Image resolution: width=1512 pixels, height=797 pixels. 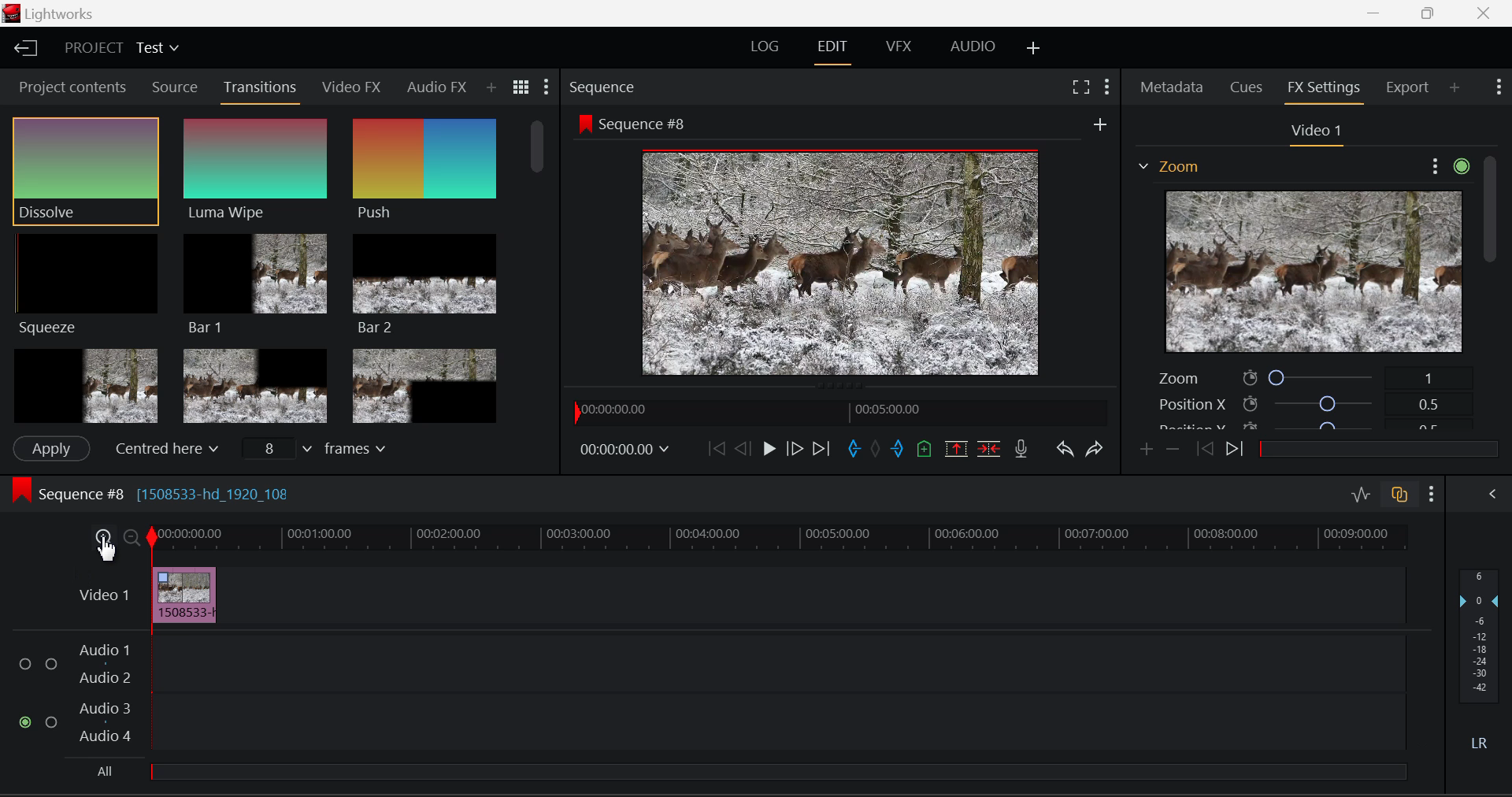 I want to click on Apply, so click(x=48, y=449).